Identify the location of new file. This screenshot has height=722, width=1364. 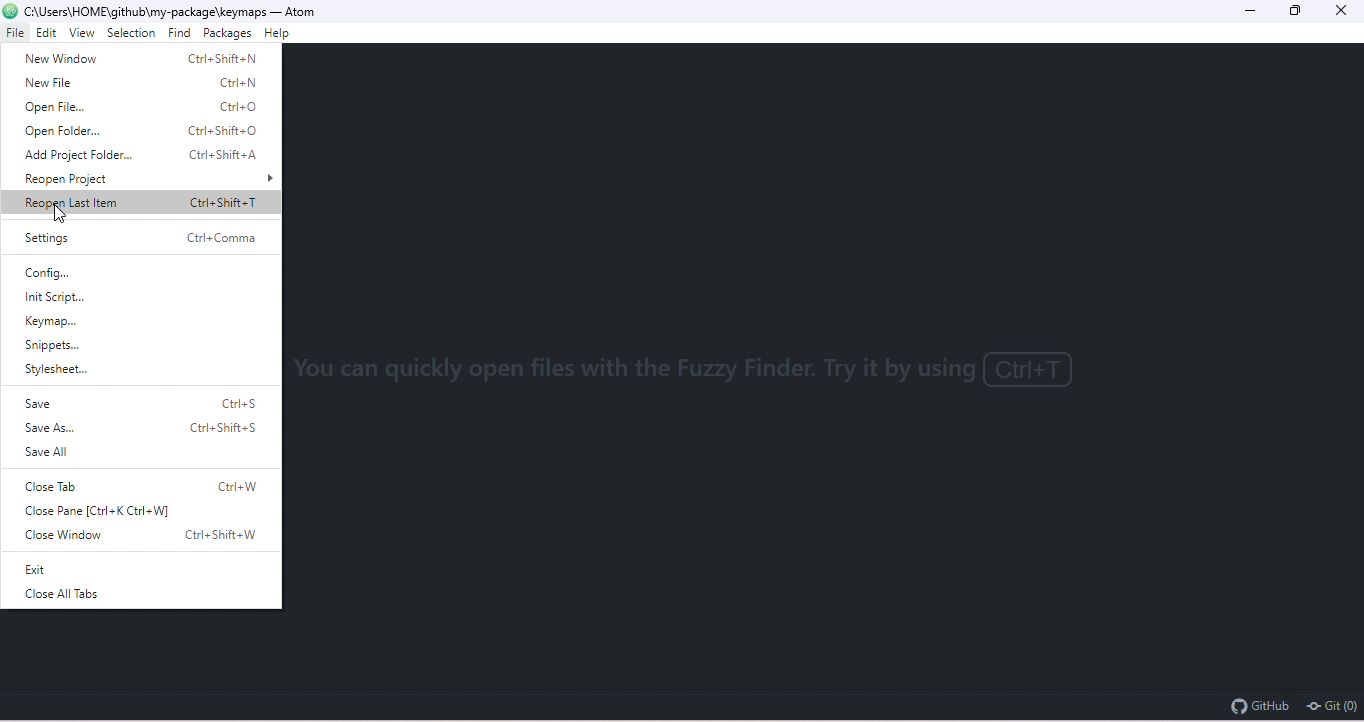
(140, 83).